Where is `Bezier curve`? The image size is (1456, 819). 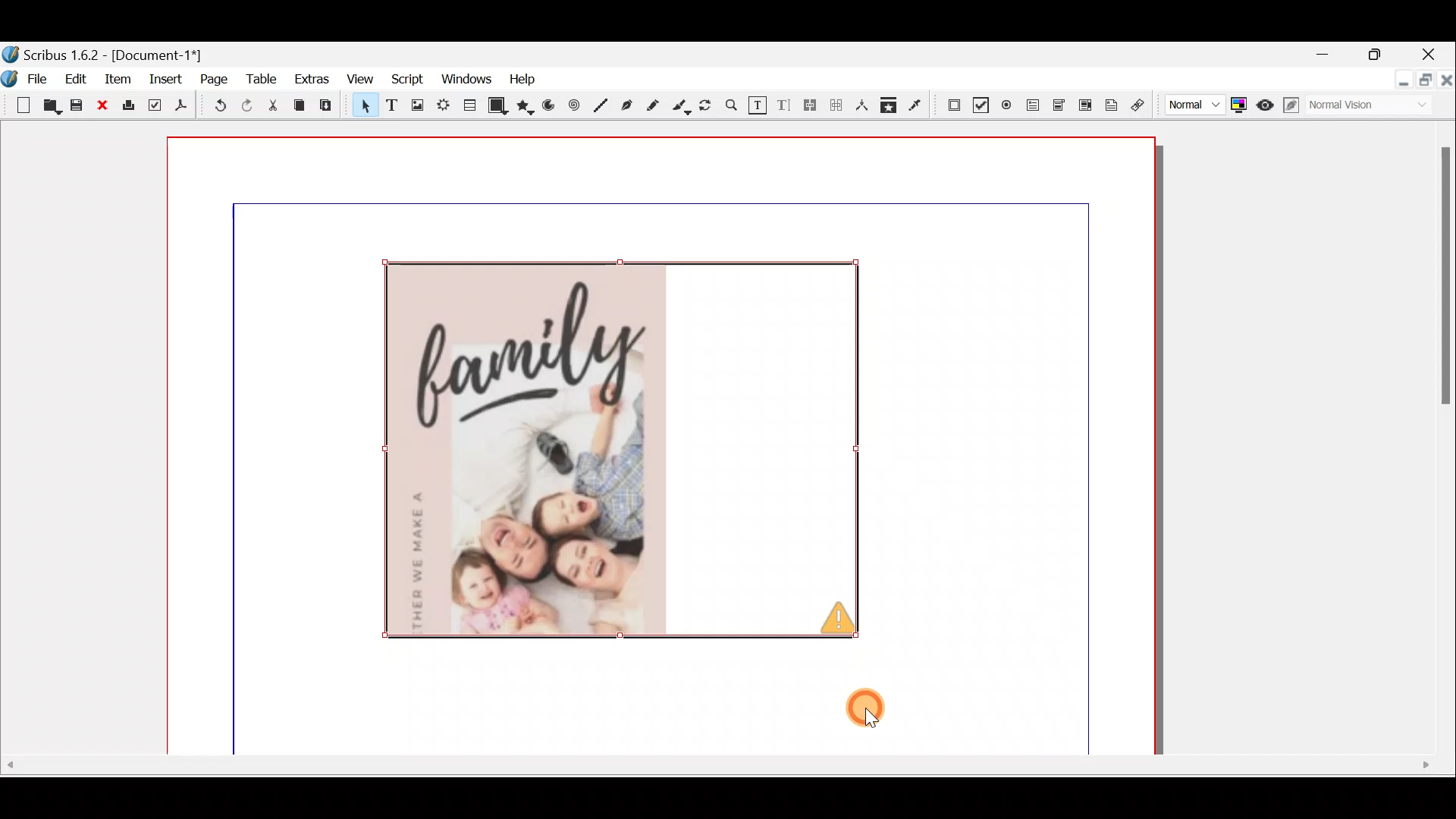
Bezier curve is located at coordinates (629, 107).